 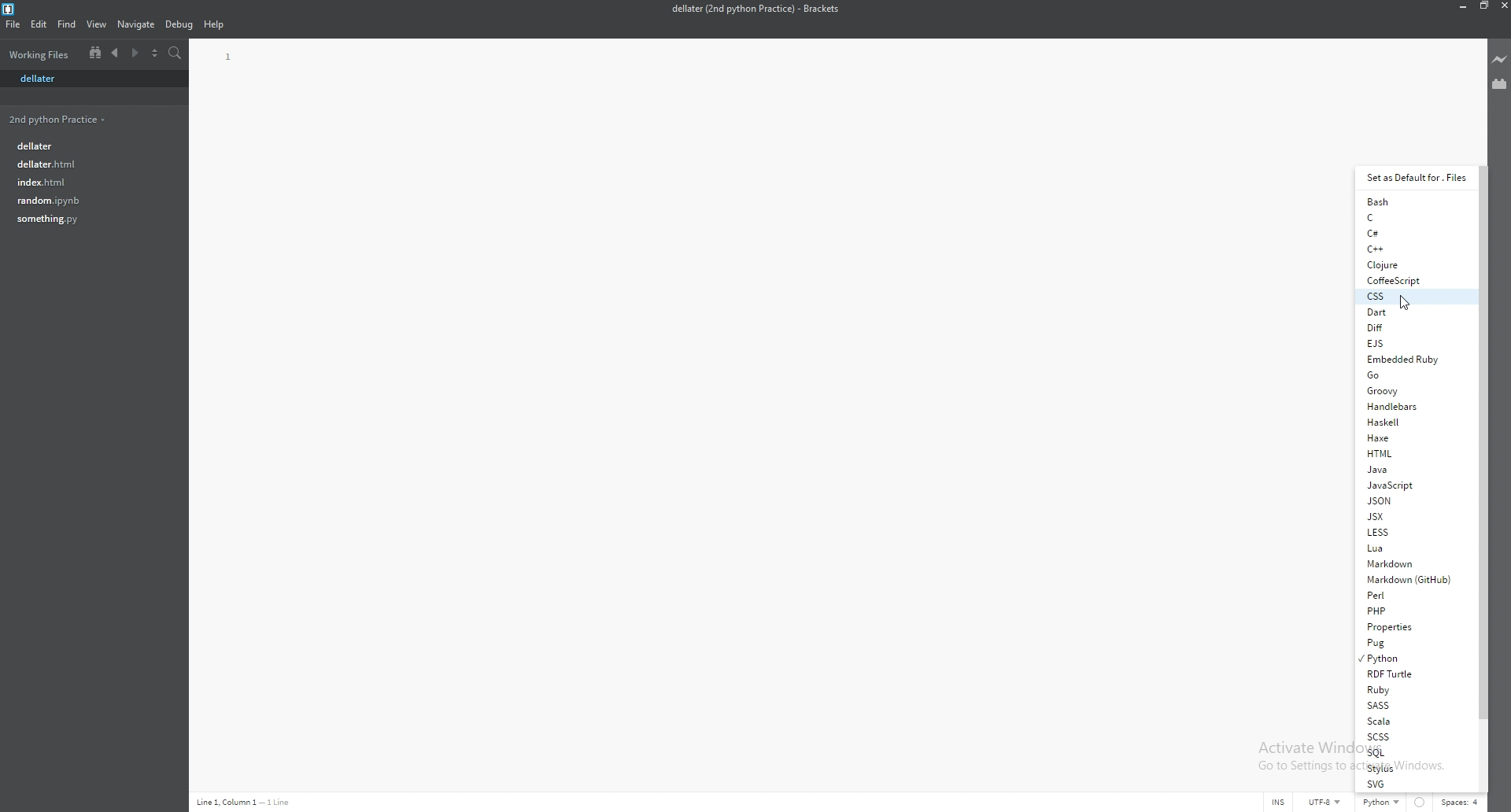 I want to click on jsx, so click(x=1411, y=516).